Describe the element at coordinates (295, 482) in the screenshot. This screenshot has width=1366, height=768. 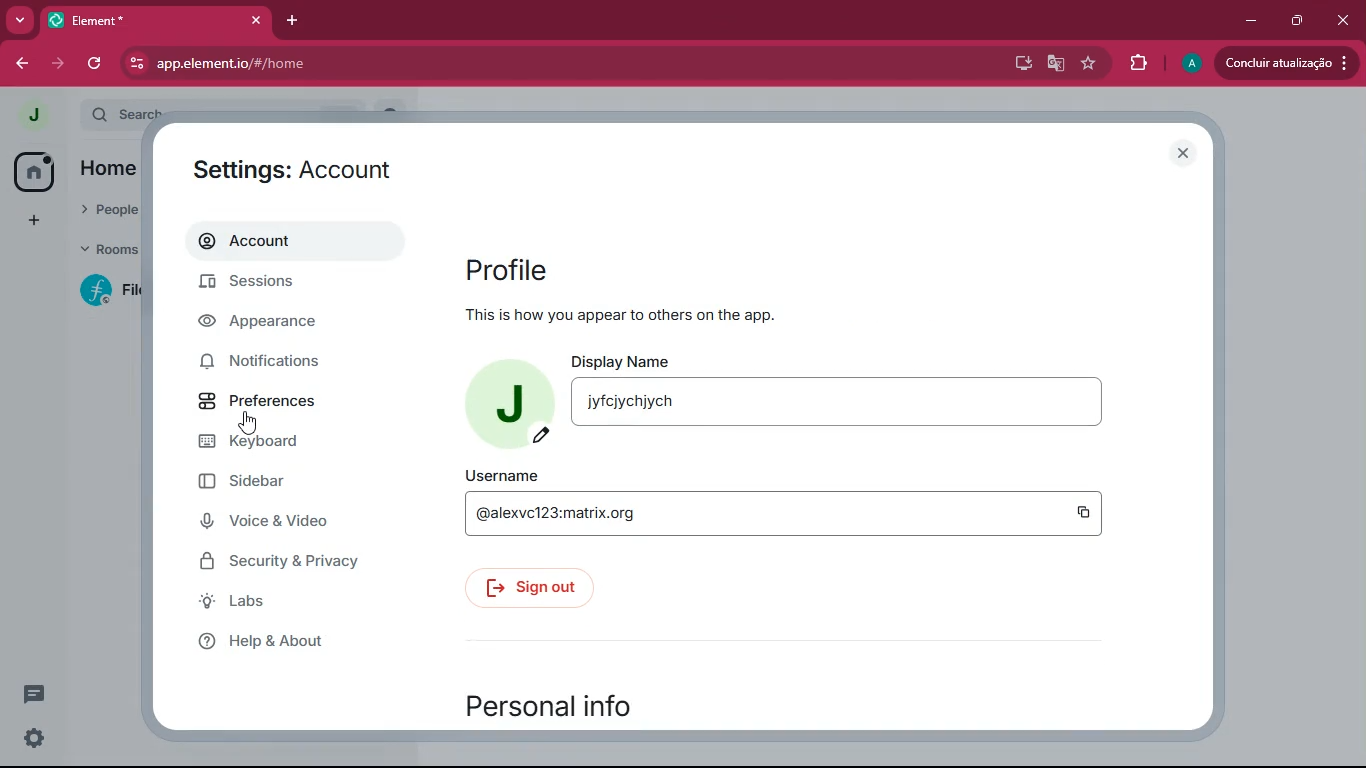
I see `sidebar` at that location.